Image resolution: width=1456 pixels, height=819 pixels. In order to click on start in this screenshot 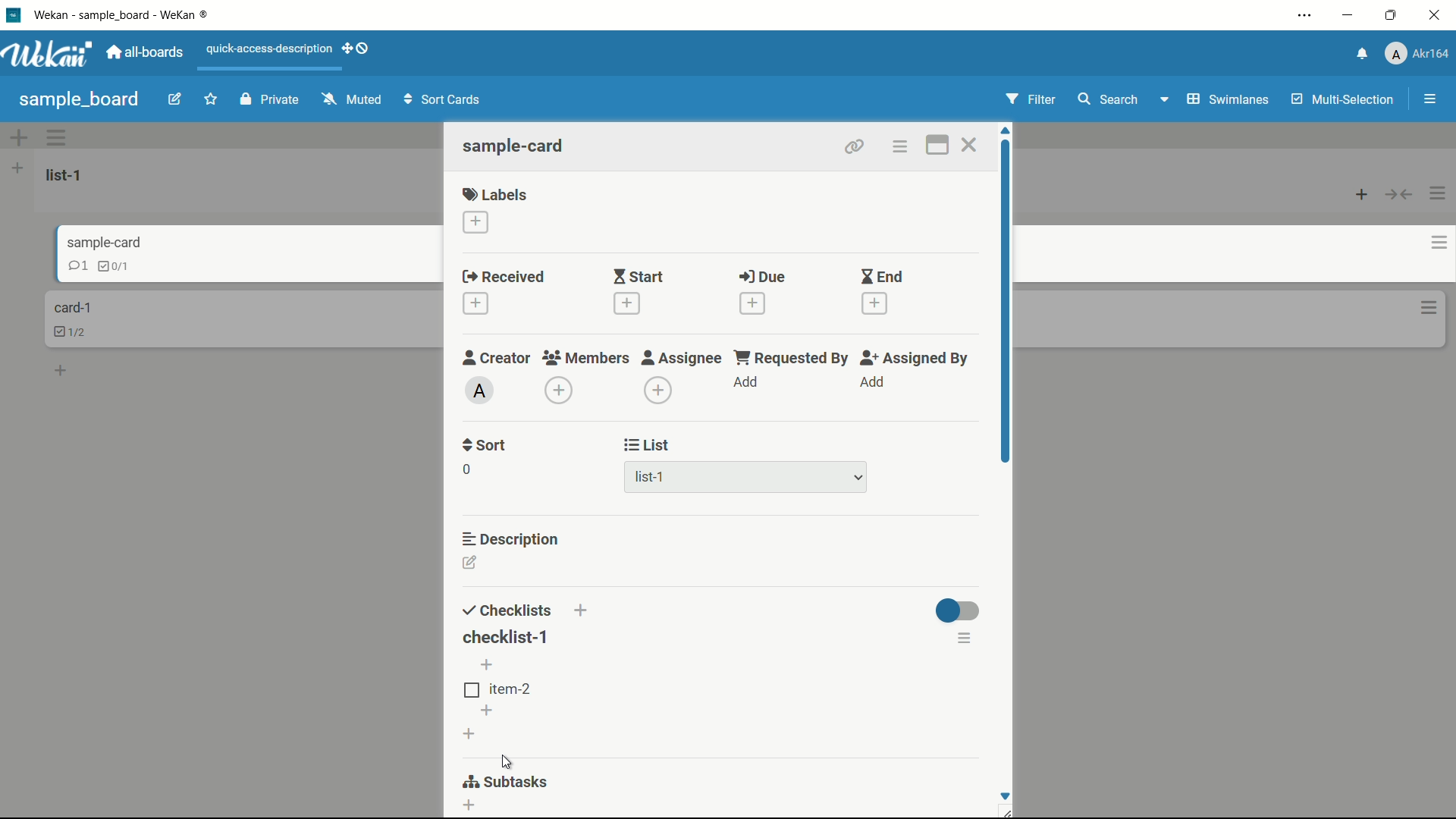, I will do `click(640, 276)`.